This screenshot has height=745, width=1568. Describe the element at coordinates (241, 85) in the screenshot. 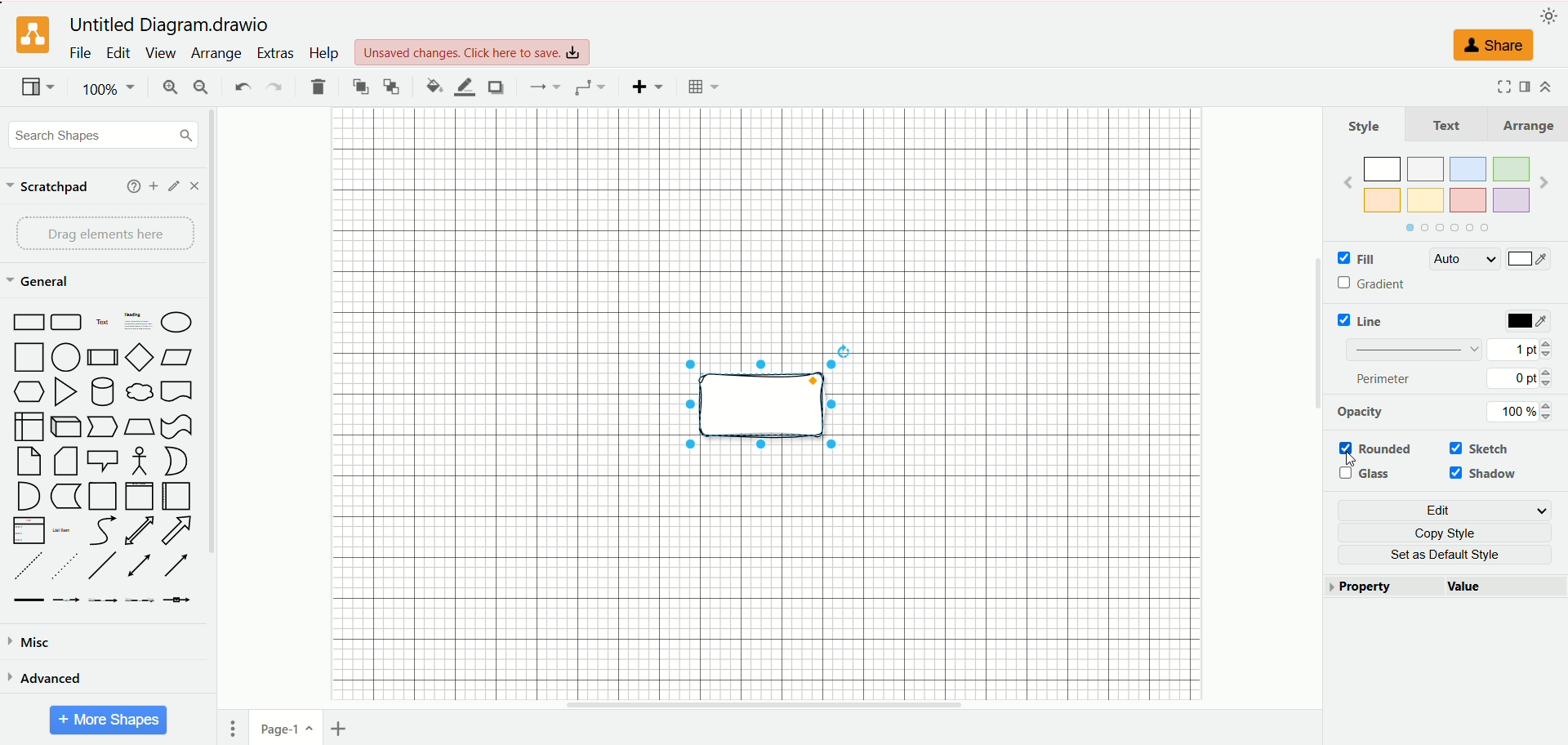

I see `undo` at that location.